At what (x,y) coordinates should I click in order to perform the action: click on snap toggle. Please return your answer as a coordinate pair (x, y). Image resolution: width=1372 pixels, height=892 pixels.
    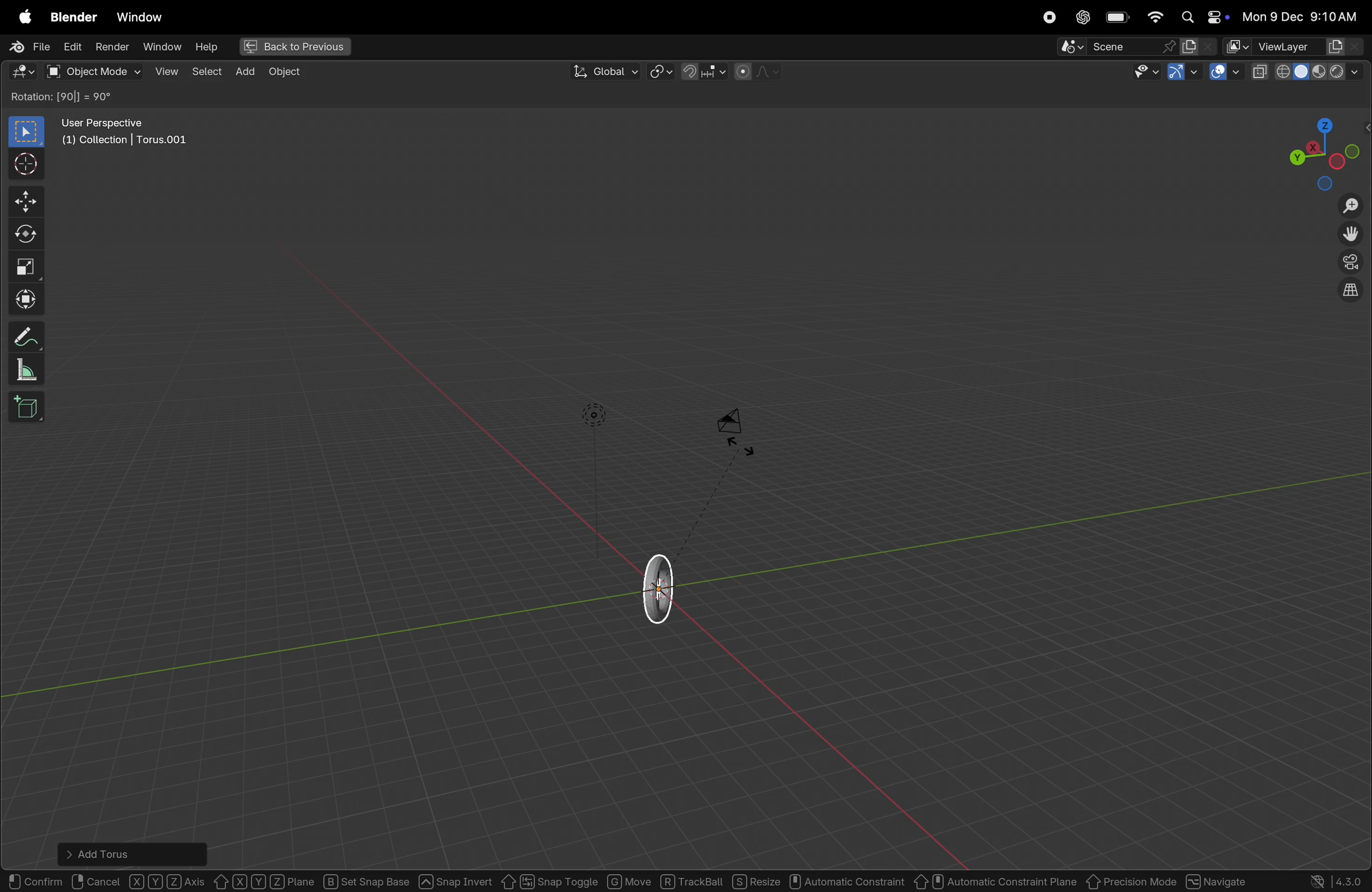
    Looking at the image, I should click on (548, 880).